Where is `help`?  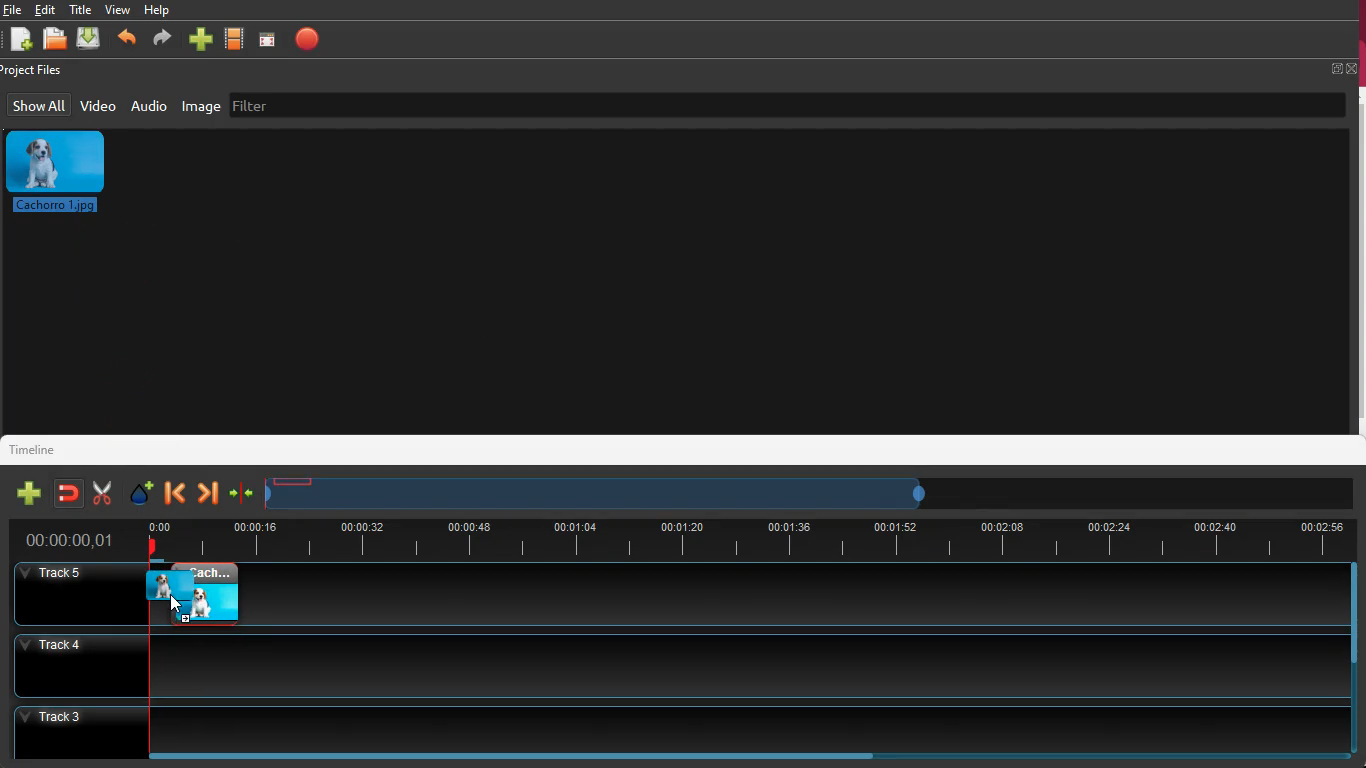
help is located at coordinates (158, 12).